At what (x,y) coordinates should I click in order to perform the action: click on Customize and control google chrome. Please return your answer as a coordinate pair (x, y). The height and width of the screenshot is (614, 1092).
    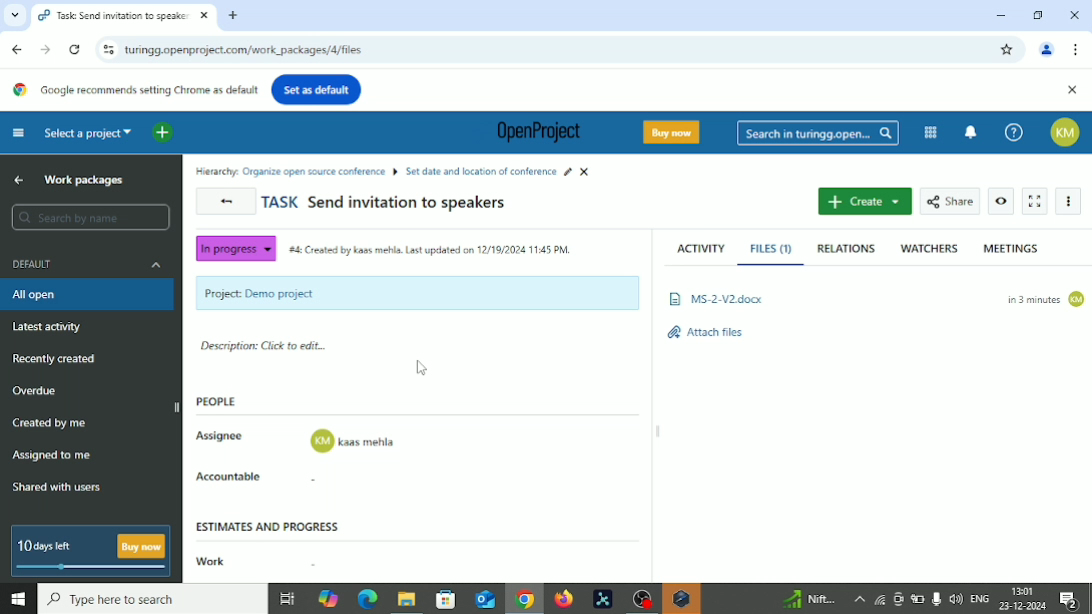
    Looking at the image, I should click on (1078, 49).